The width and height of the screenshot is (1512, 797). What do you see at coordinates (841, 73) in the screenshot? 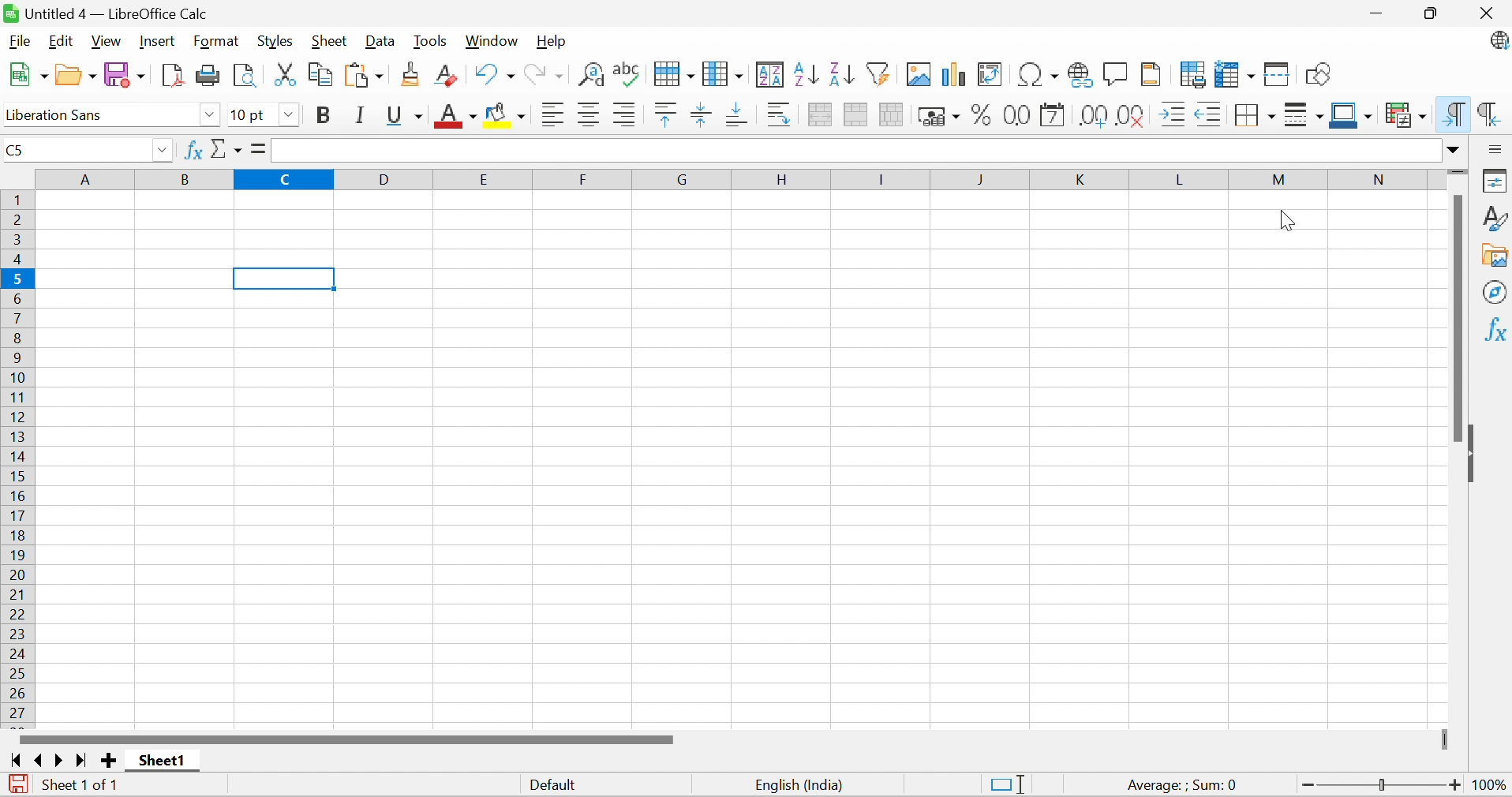
I see `Sort descending` at bounding box center [841, 73].